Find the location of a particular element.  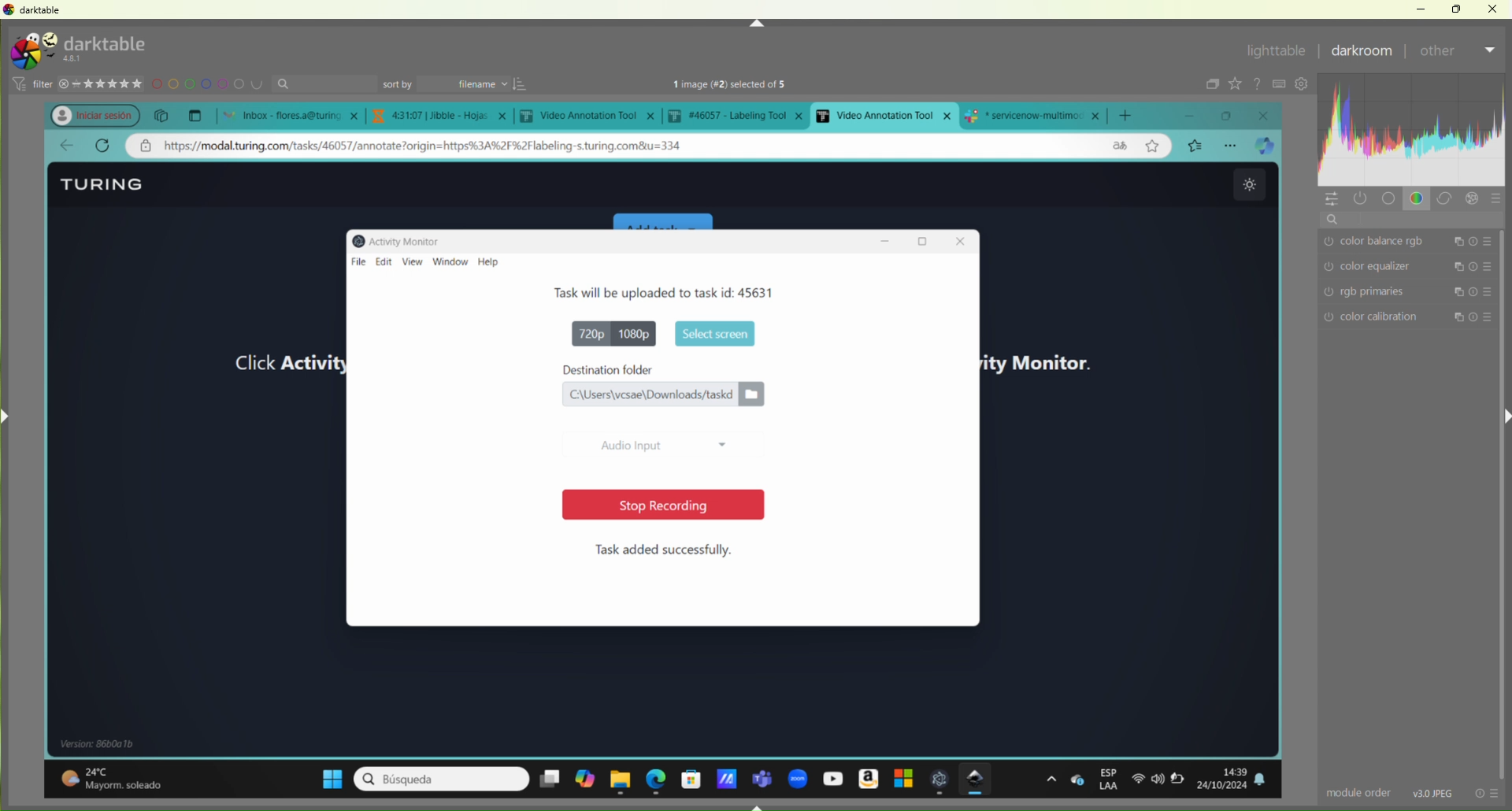

turing is located at coordinates (96, 48).